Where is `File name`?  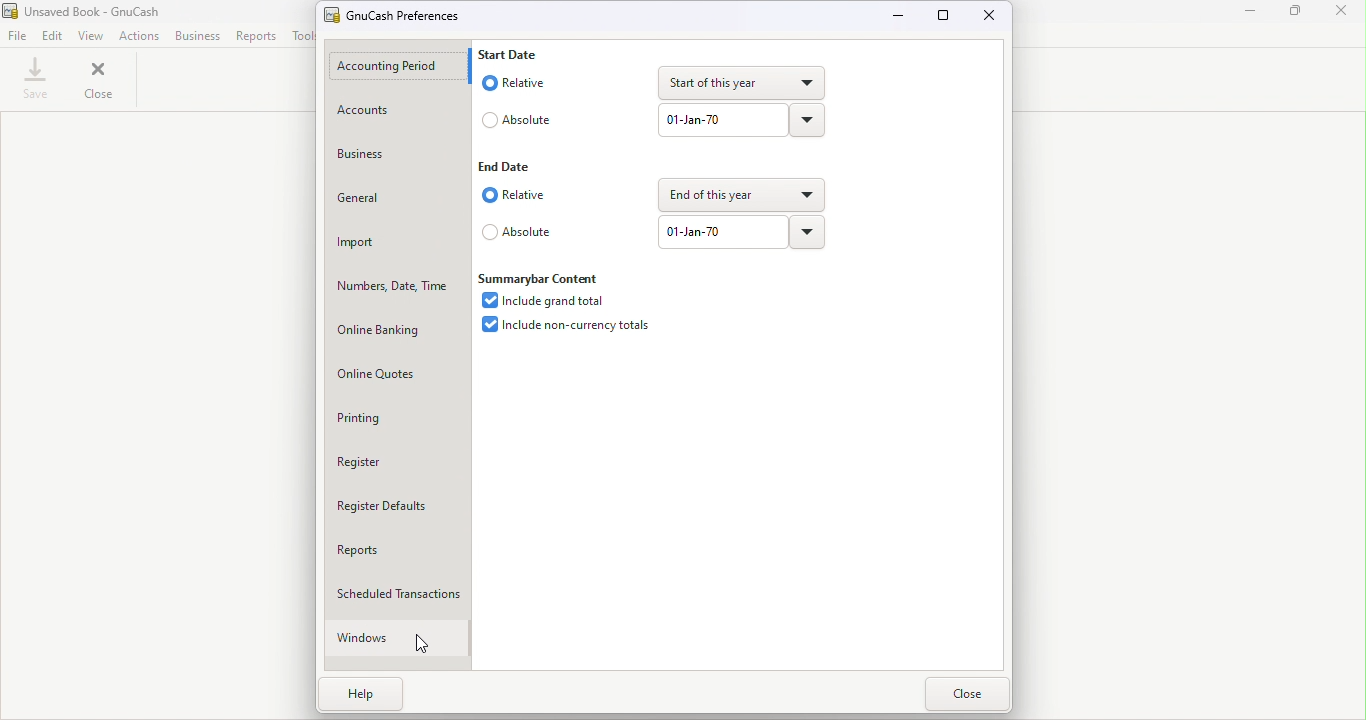
File name is located at coordinates (405, 13).